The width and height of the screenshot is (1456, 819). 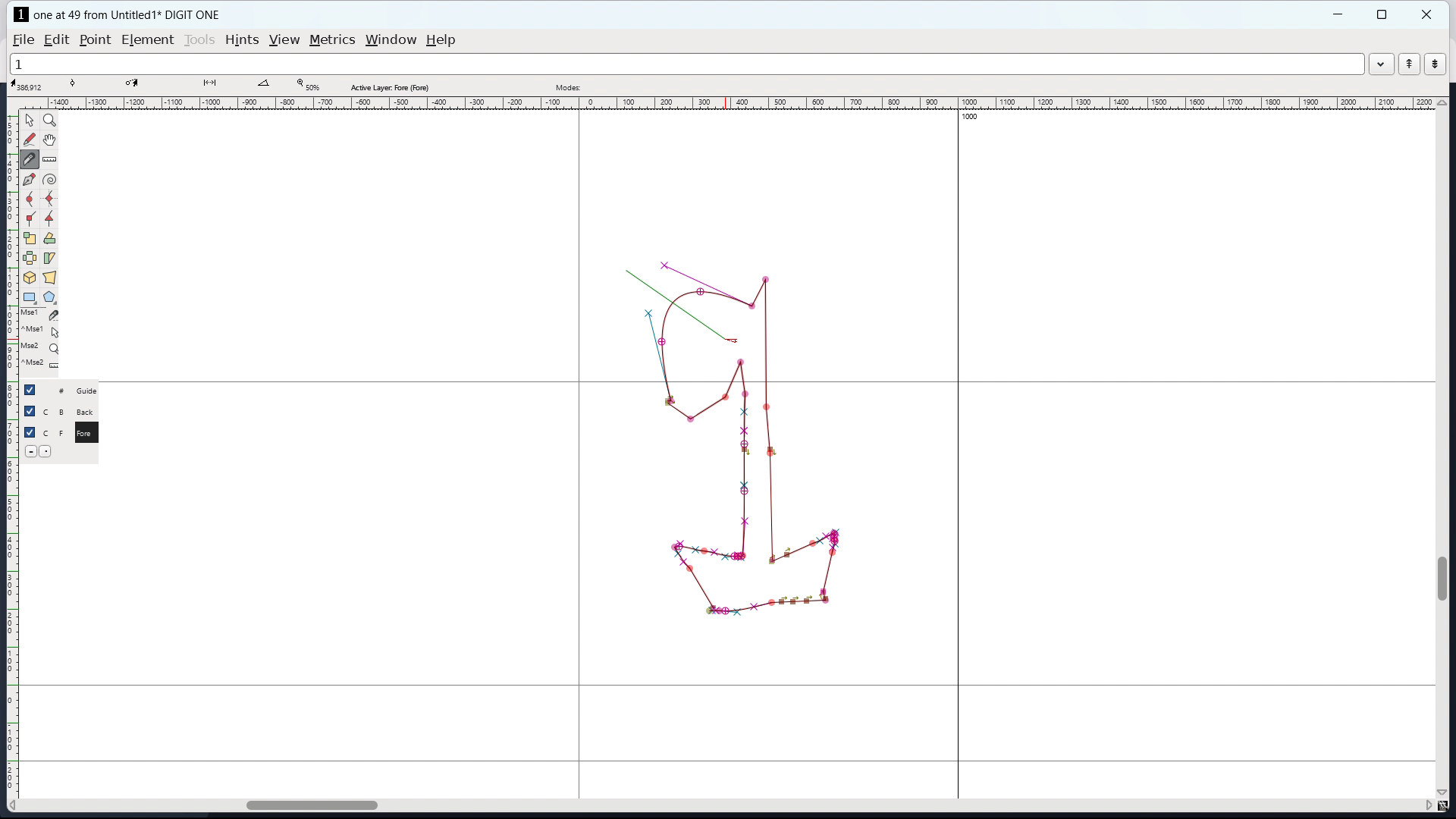 I want to click on change whether spiro is active or not, so click(x=49, y=180).